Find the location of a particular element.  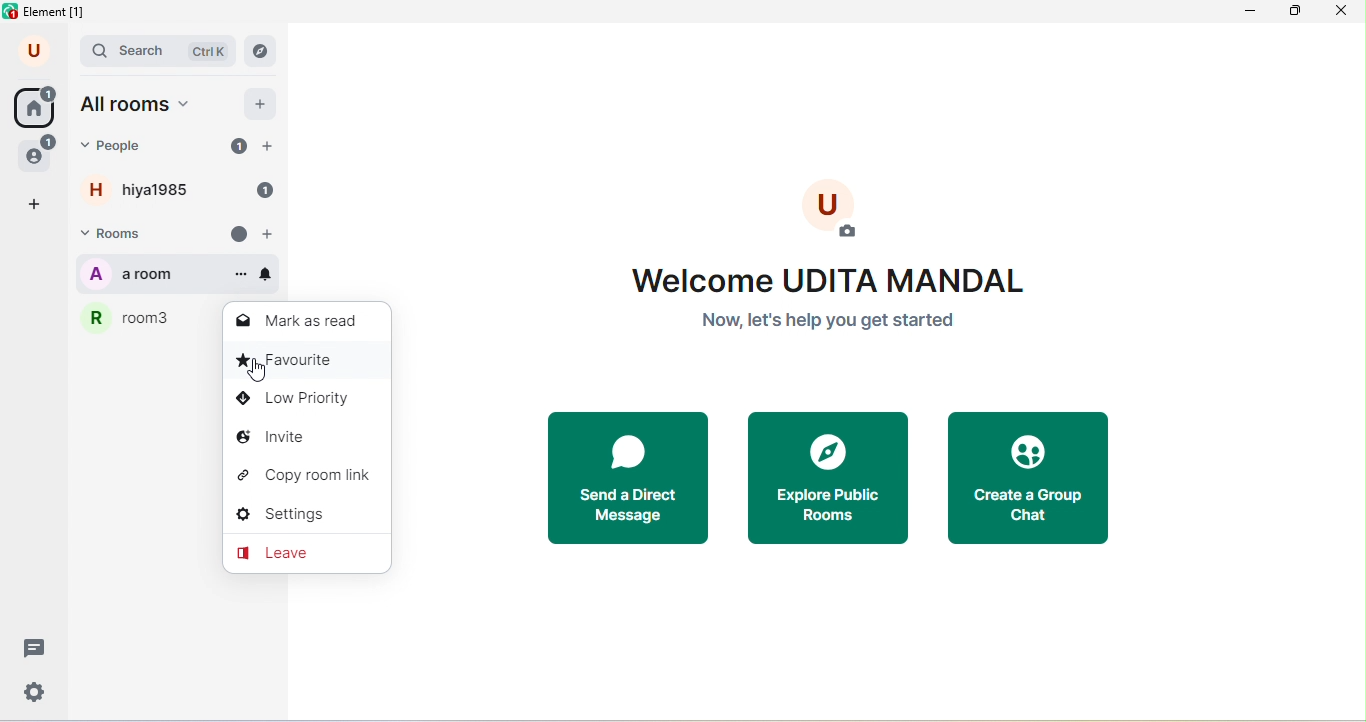

people is located at coordinates (38, 153).